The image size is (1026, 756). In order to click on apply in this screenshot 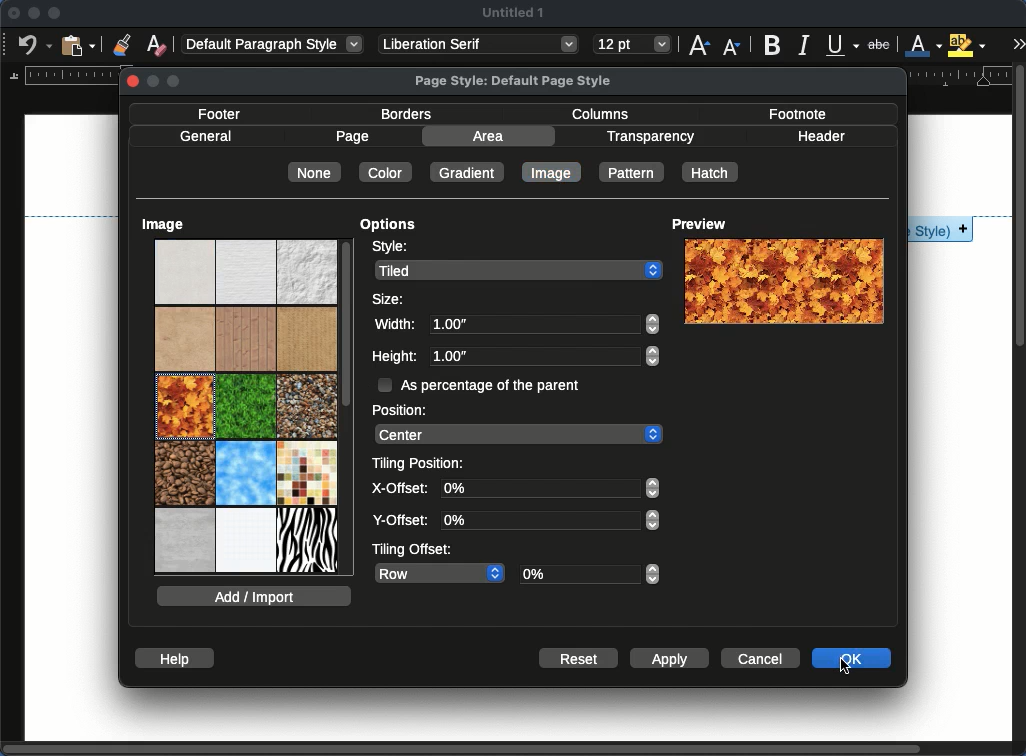, I will do `click(672, 658)`.